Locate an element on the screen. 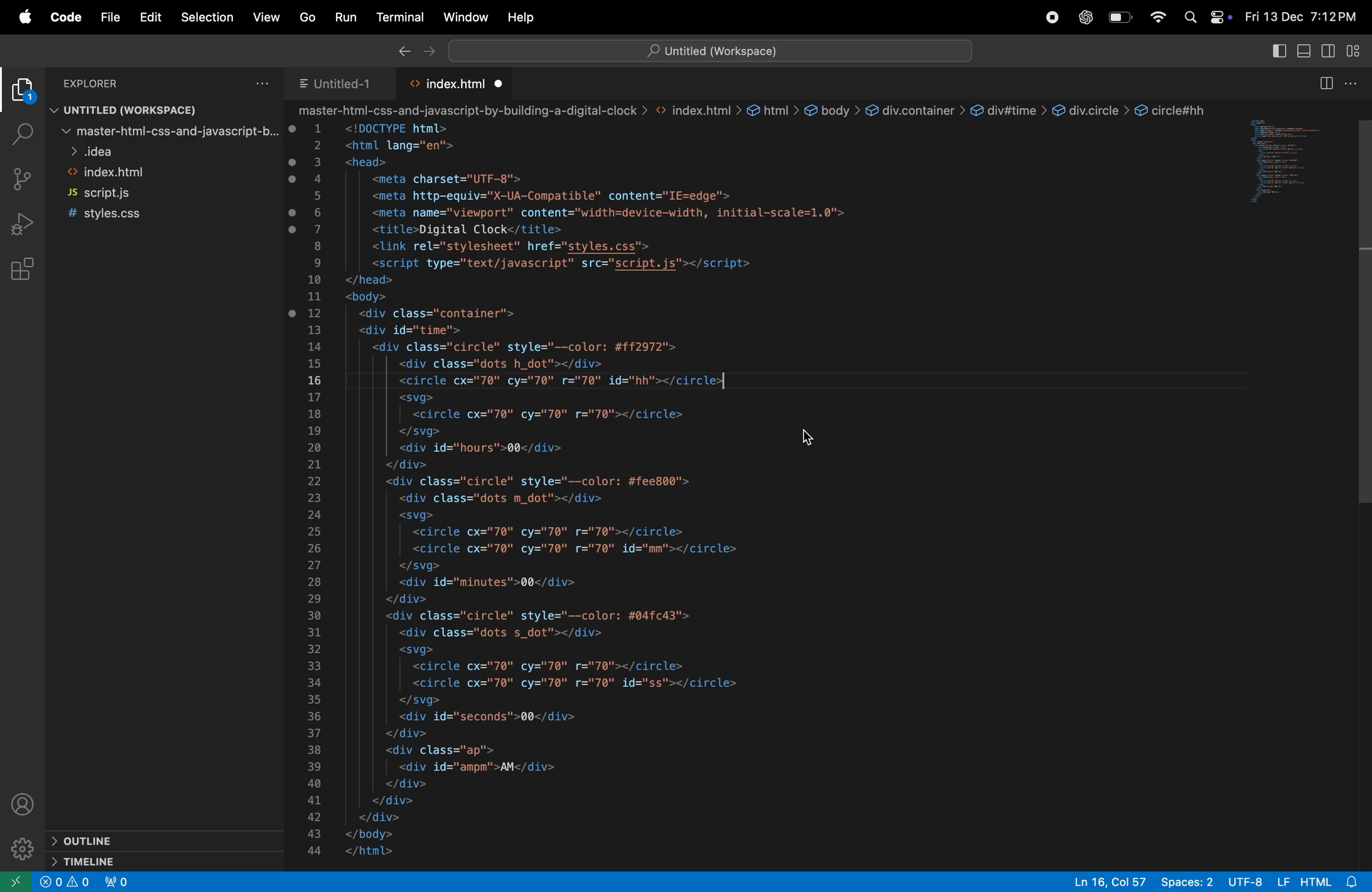  create alert is located at coordinates (67, 884).